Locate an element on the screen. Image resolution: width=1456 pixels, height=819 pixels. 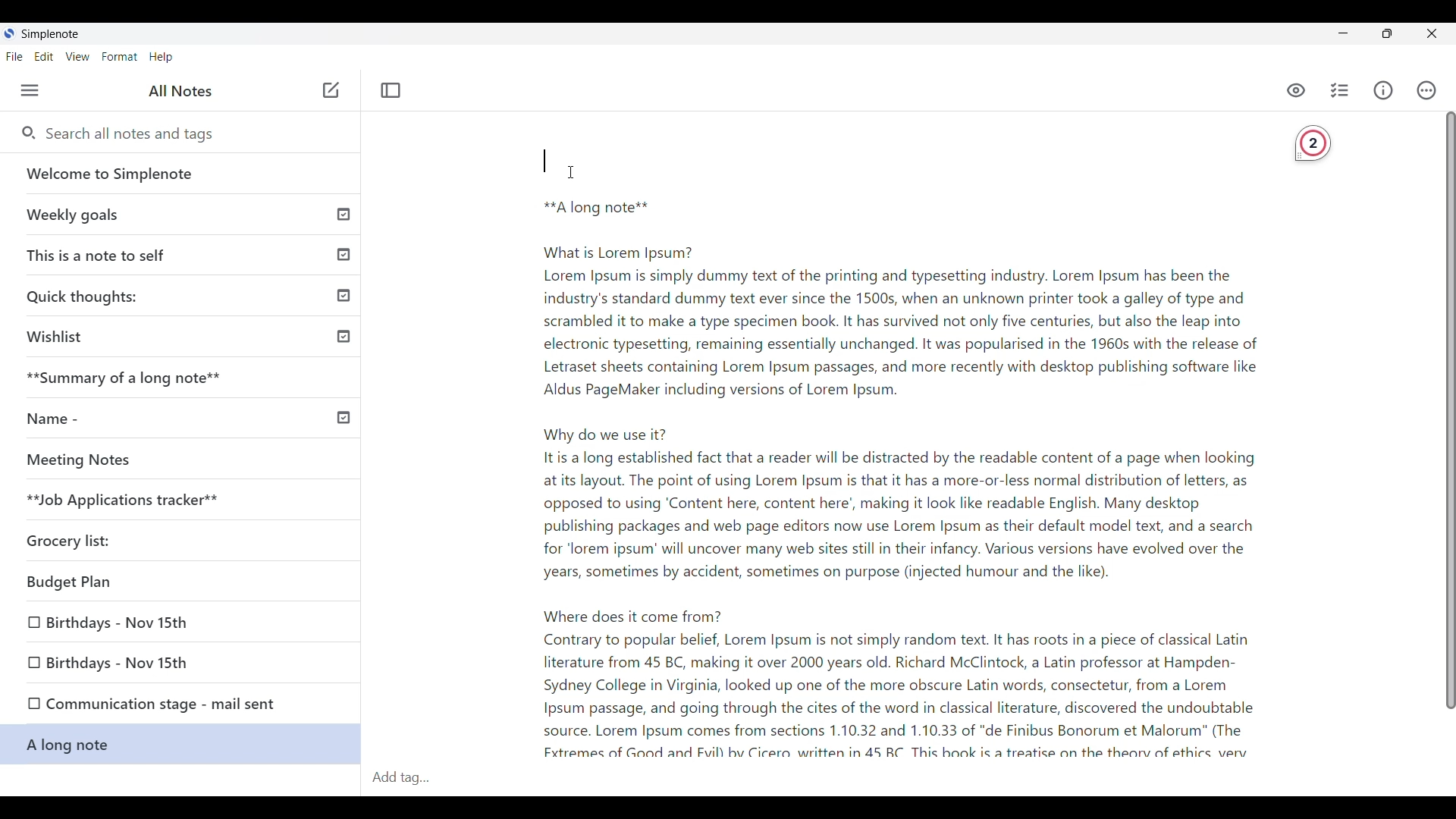
Cursor is located at coordinates (566, 171).